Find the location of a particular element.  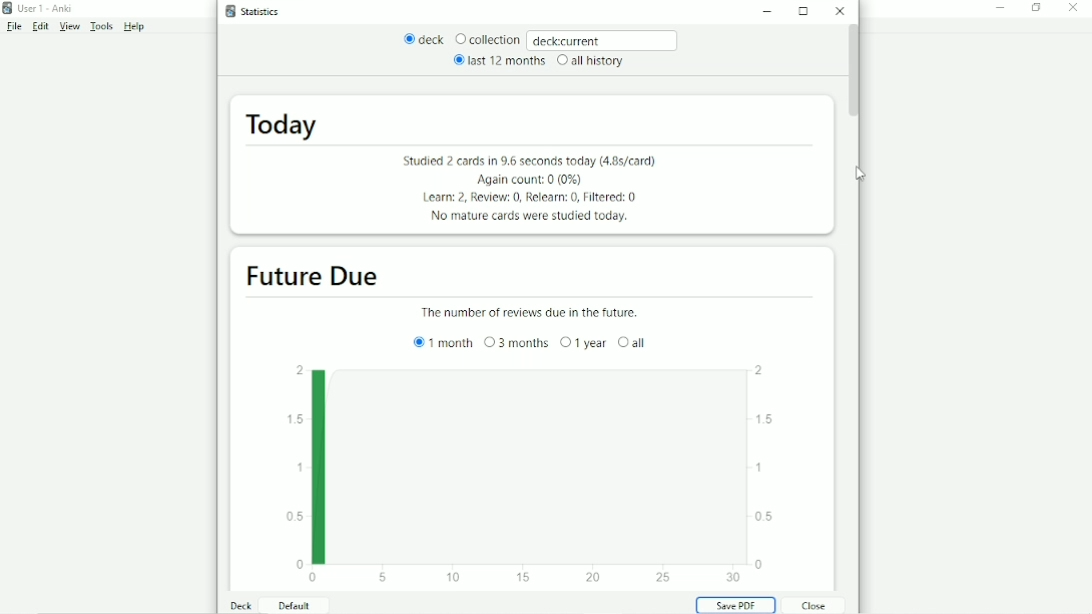

Help is located at coordinates (135, 27).